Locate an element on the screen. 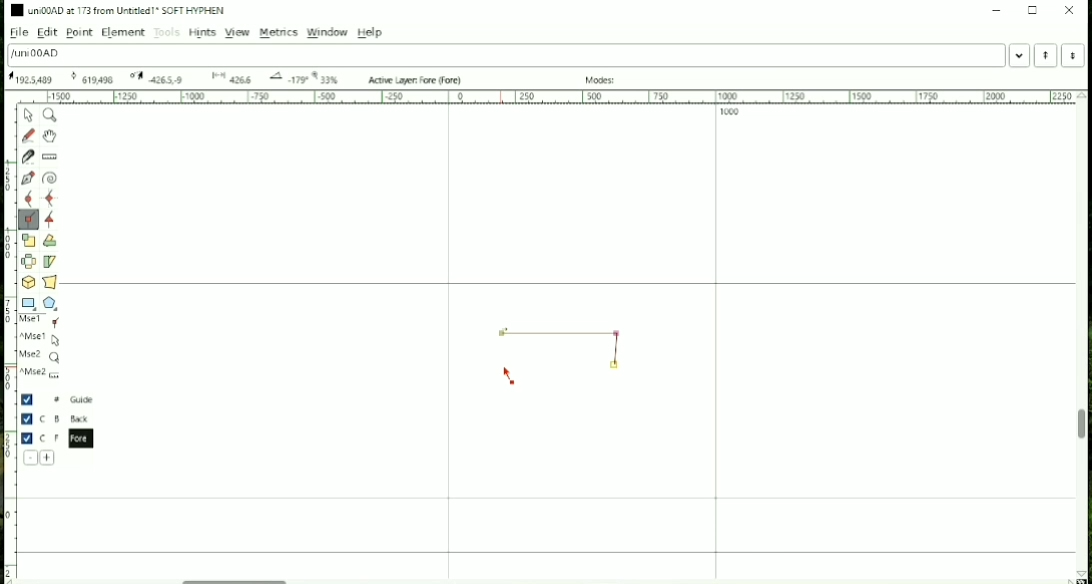  Maximize is located at coordinates (1033, 10).